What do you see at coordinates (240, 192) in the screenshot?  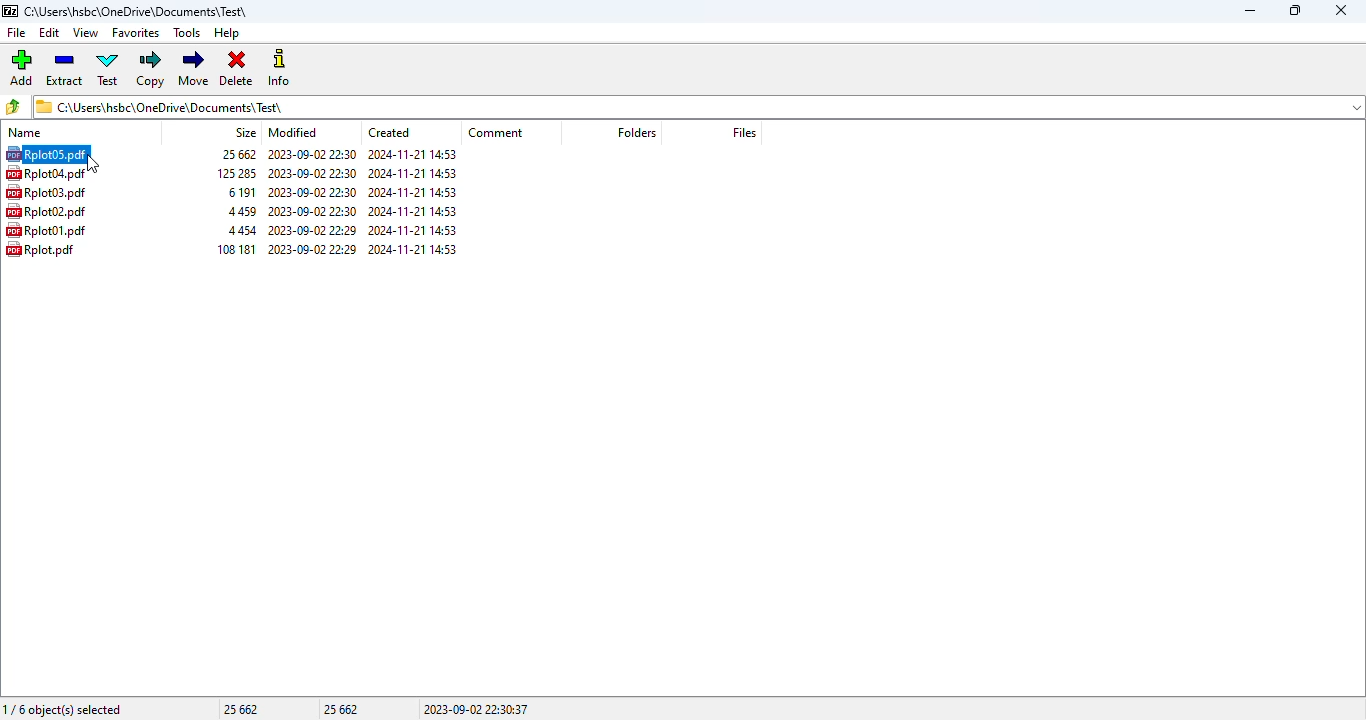 I see `size` at bounding box center [240, 192].